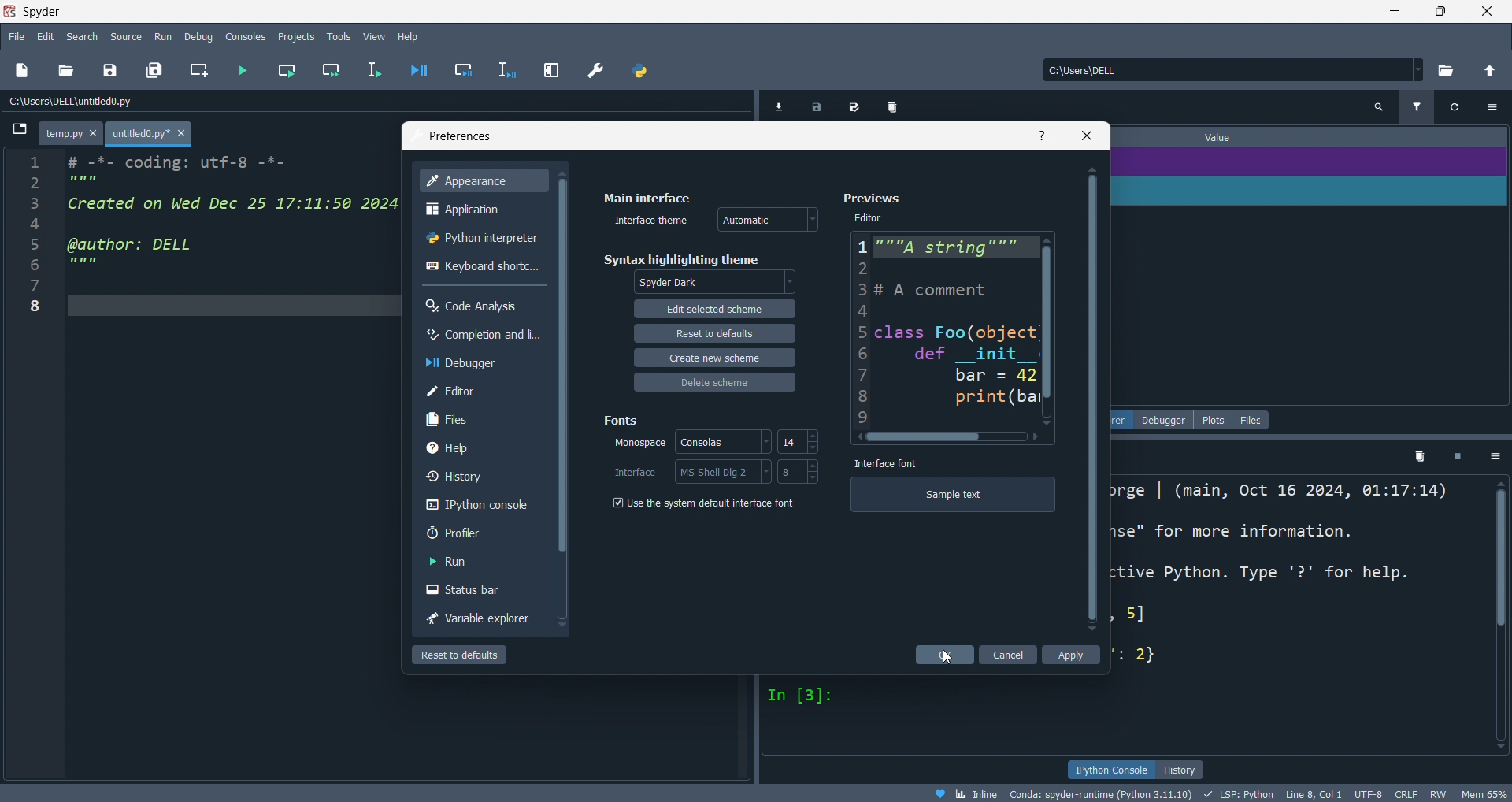 This screenshot has width=1512, height=802. Describe the element at coordinates (1072, 654) in the screenshot. I see `apply` at that location.